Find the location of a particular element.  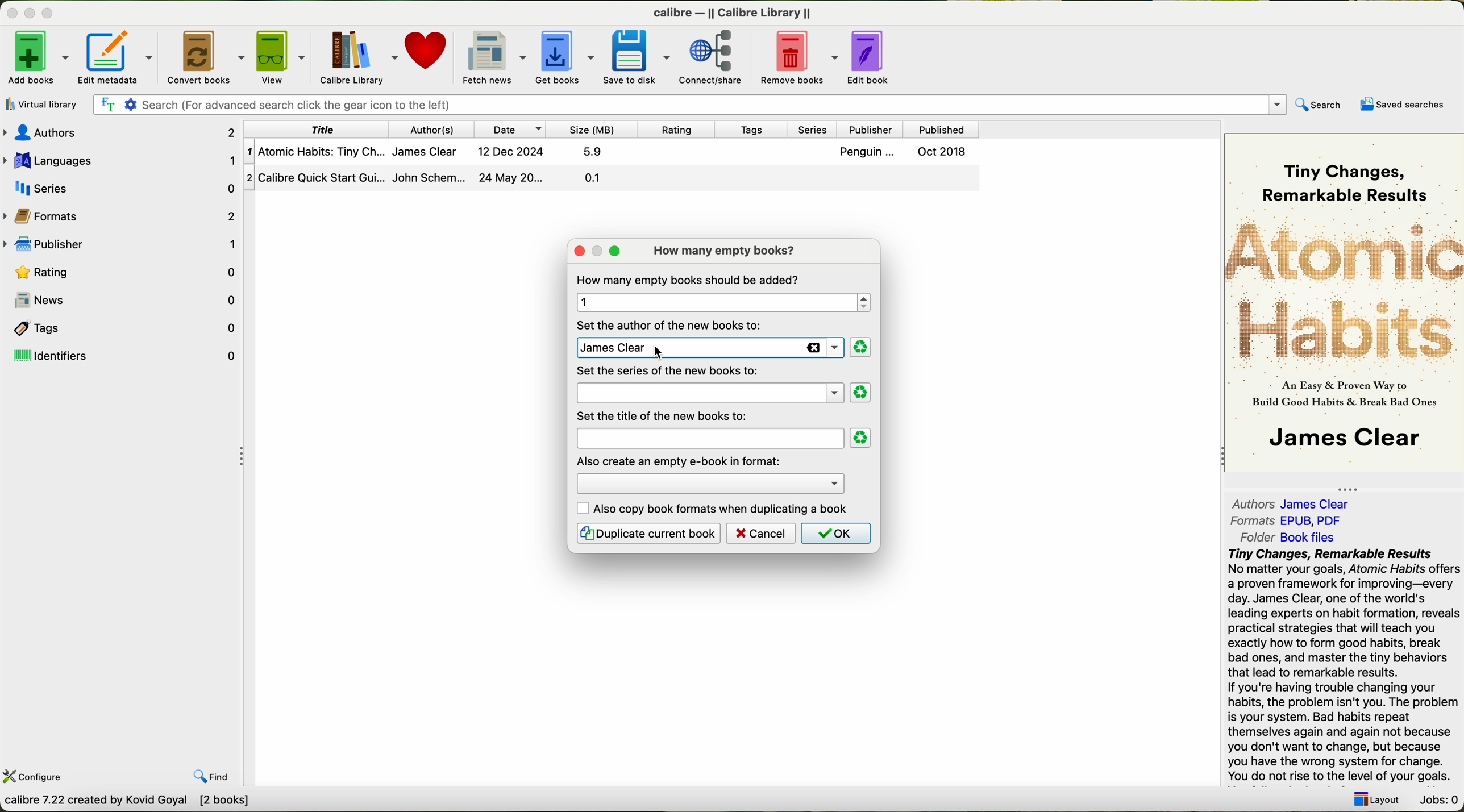

remove books is located at coordinates (798, 58).